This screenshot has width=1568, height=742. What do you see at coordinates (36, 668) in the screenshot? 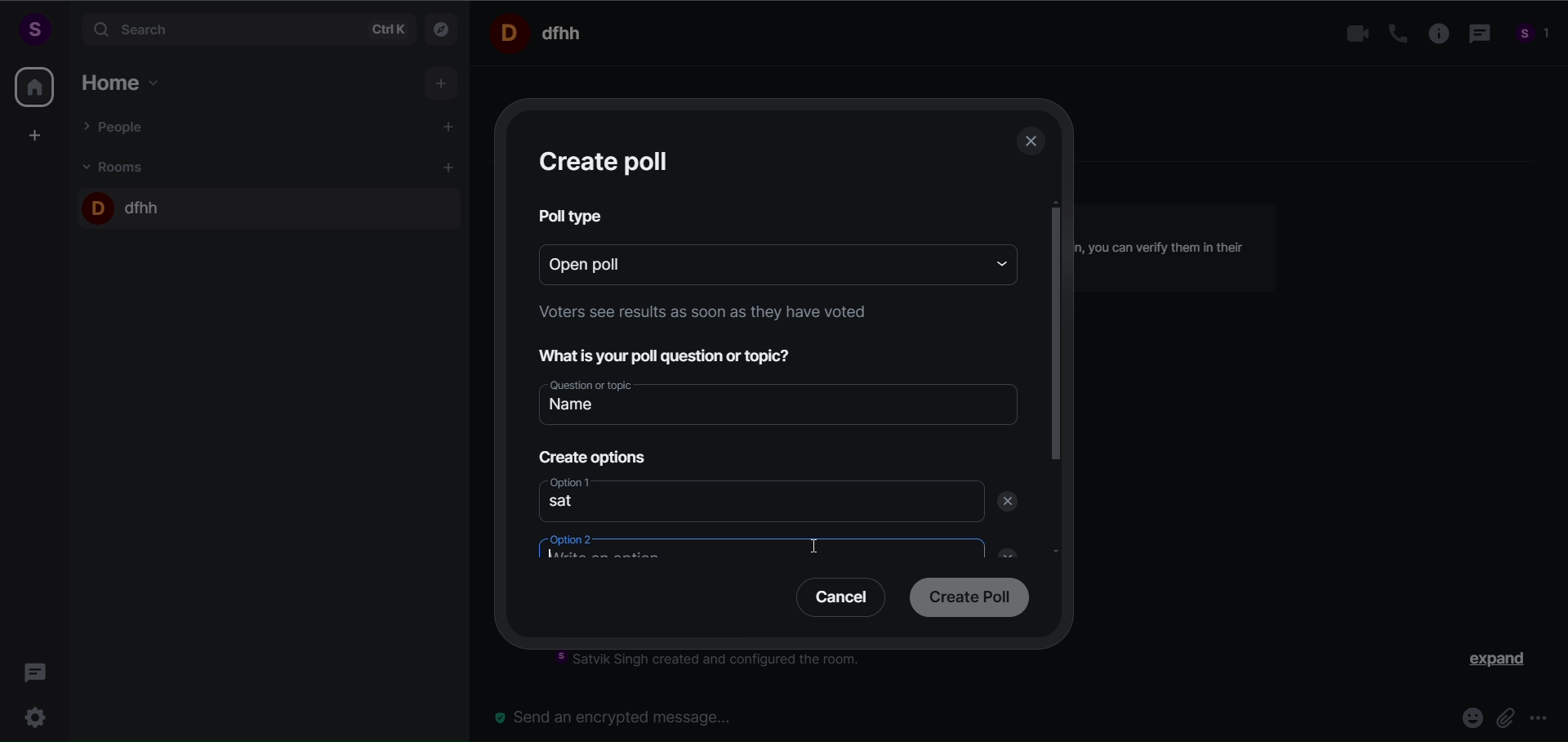
I see `threads ` at bounding box center [36, 668].